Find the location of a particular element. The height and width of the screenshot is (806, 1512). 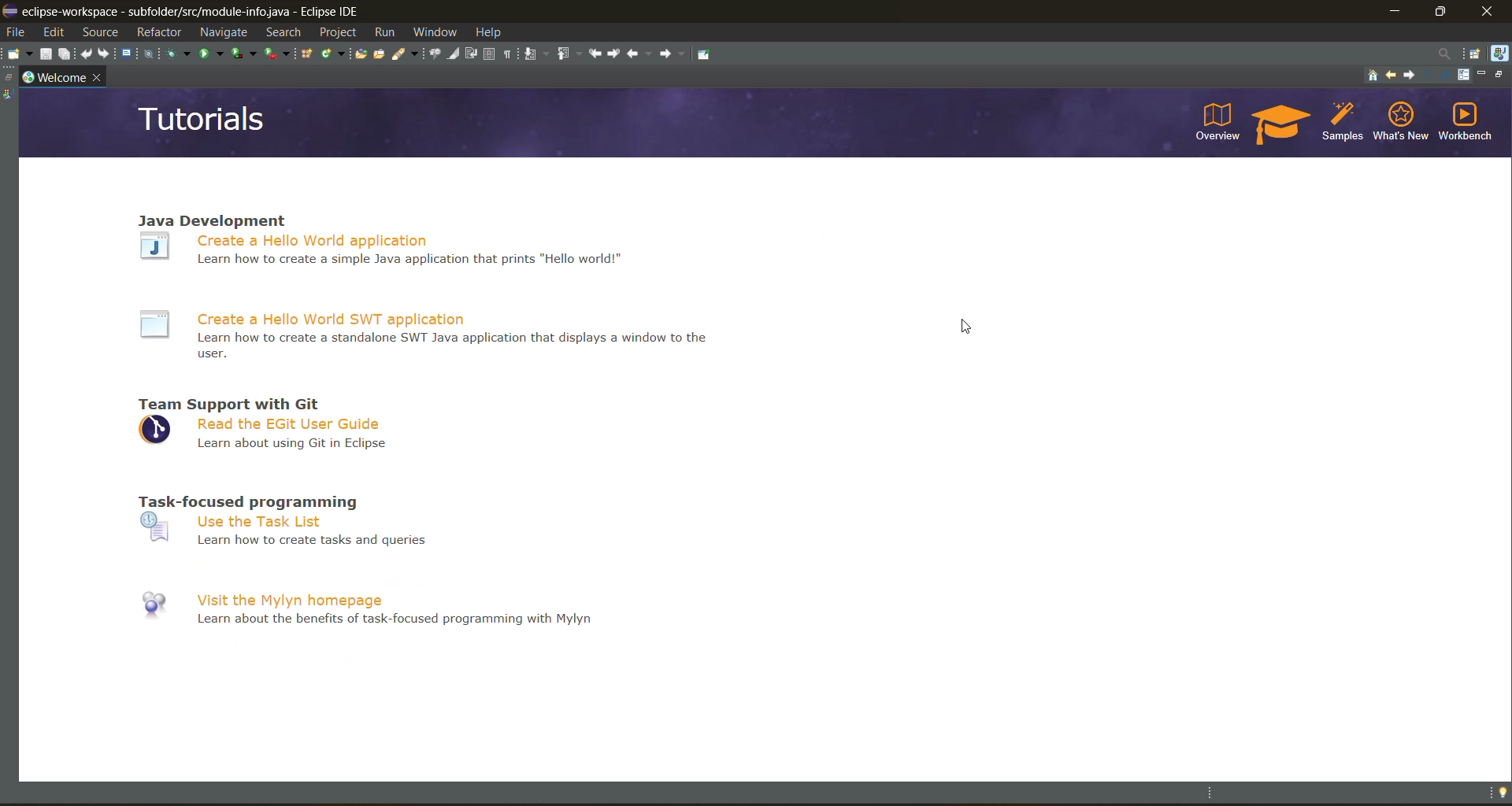

skip all breakpoints is located at coordinates (151, 54).